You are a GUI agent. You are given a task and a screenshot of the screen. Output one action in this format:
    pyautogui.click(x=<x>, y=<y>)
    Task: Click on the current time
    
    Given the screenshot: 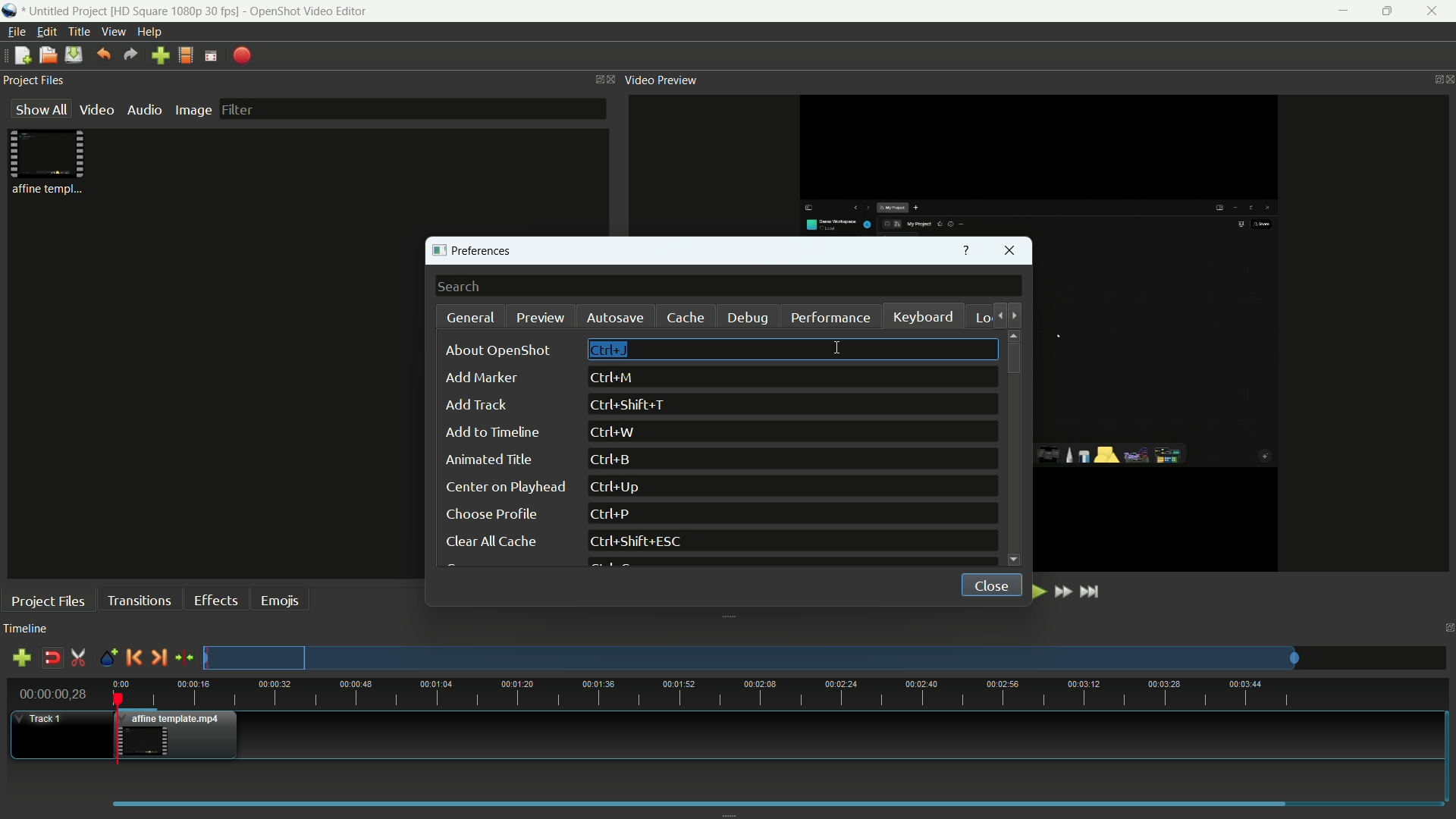 What is the action you would take?
    pyautogui.click(x=55, y=693)
    